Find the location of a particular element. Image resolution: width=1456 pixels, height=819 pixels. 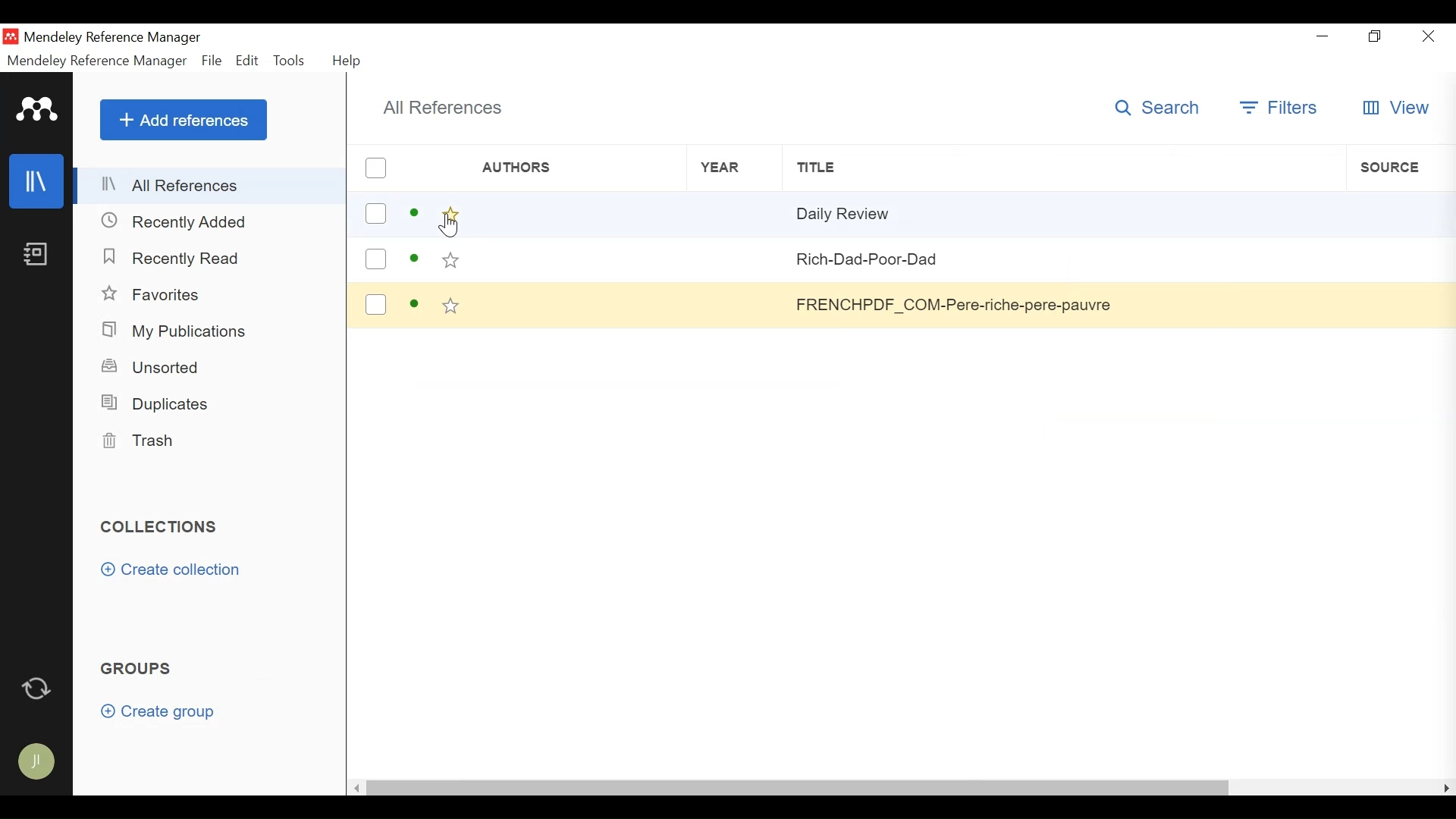

My Publication is located at coordinates (178, 332).